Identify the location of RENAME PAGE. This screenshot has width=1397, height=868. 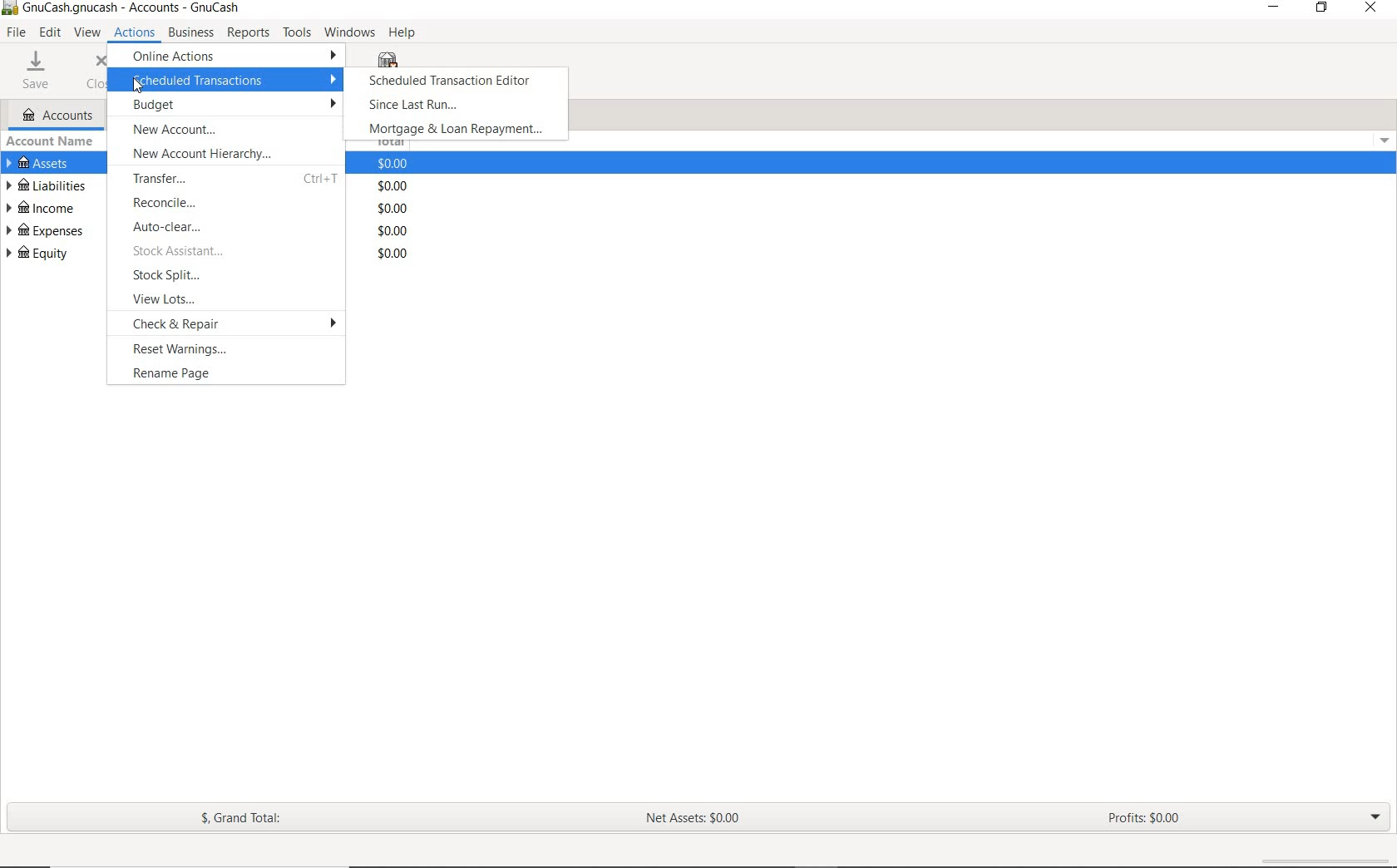
(231, 375).